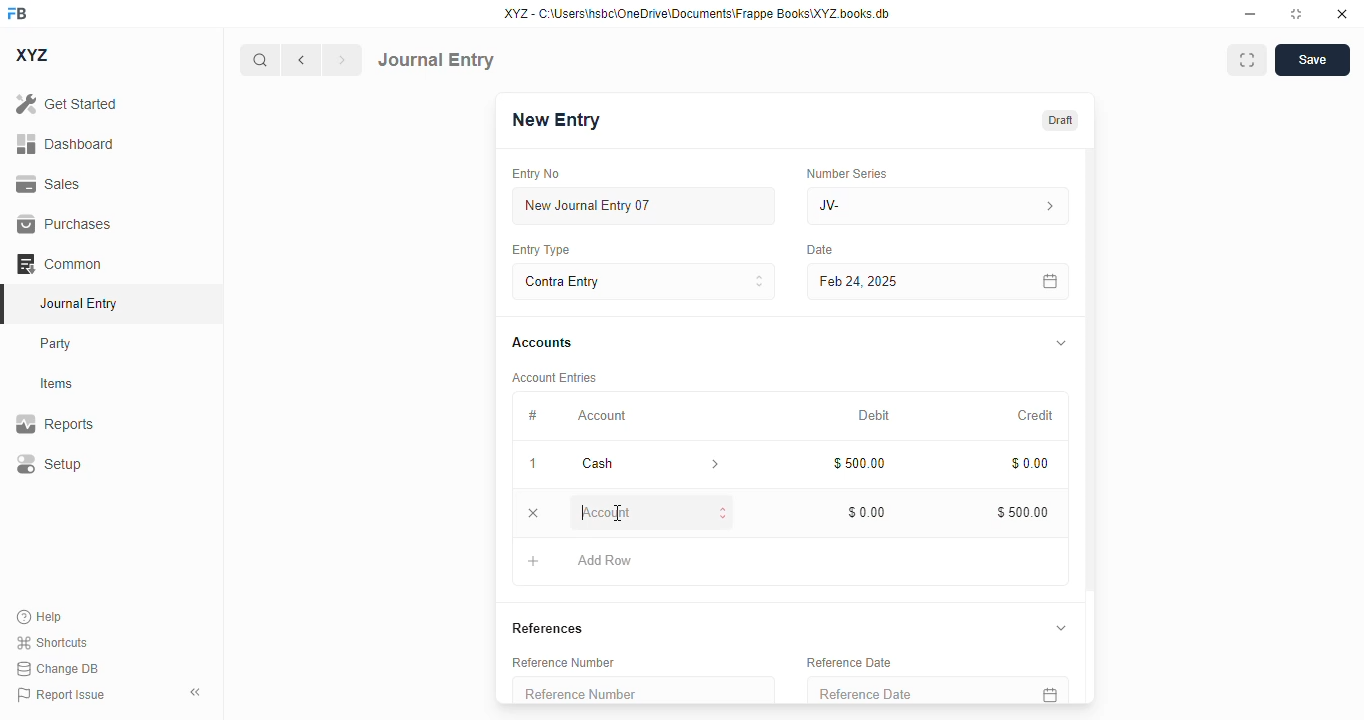 Image resolution: width=1364 pixels, height=720 pixels. What do you see at coordinates (197, 692) in the screenshot?
I see `toggle sidebar` at bounding box center [197, 692].